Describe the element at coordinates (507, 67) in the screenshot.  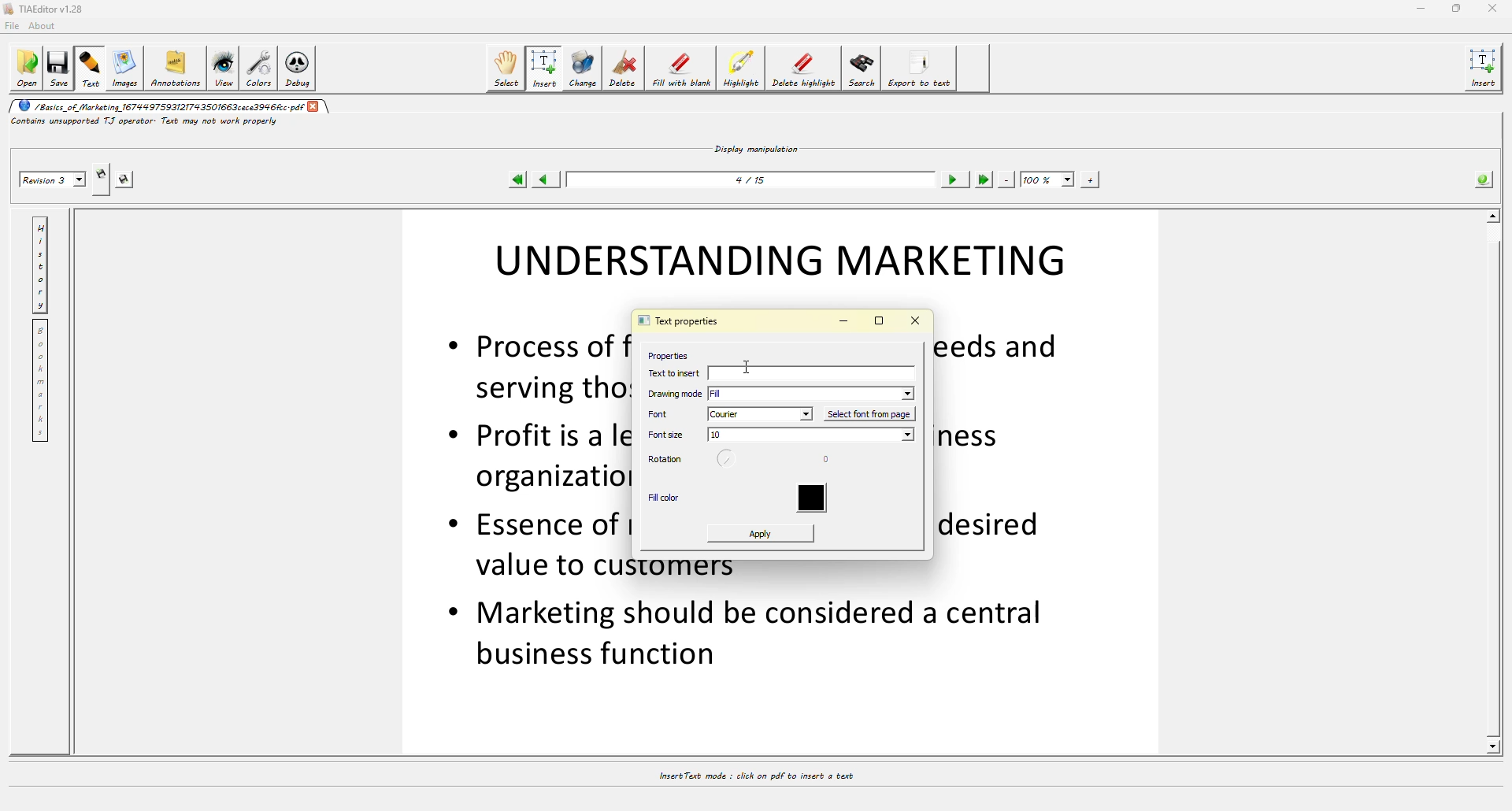
I see `select` at that location.